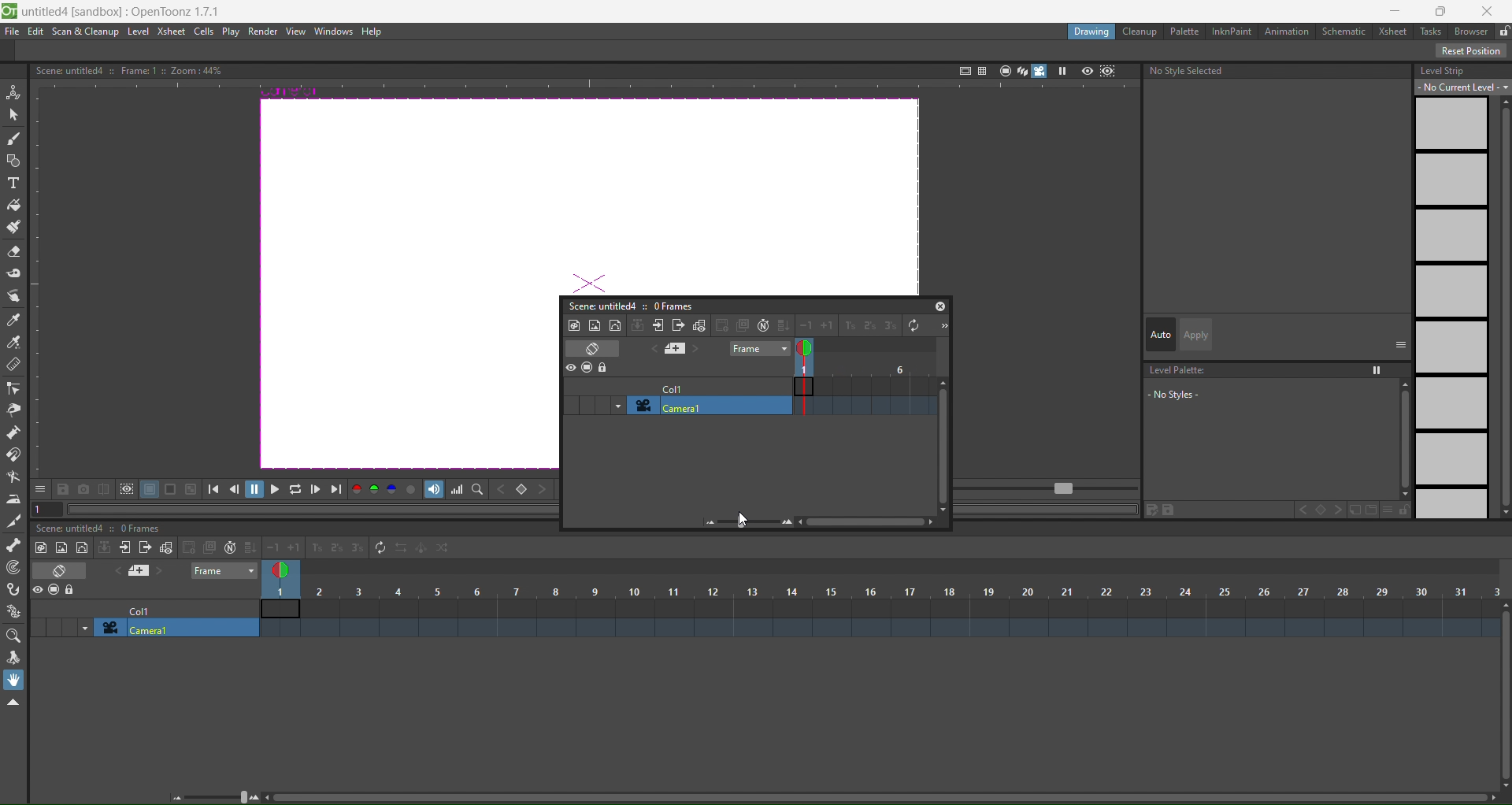 This screenshot has height=805, width=1512. Describe the element at coordinates (707, 405) in the screenshot. I see `camera1` at that location.